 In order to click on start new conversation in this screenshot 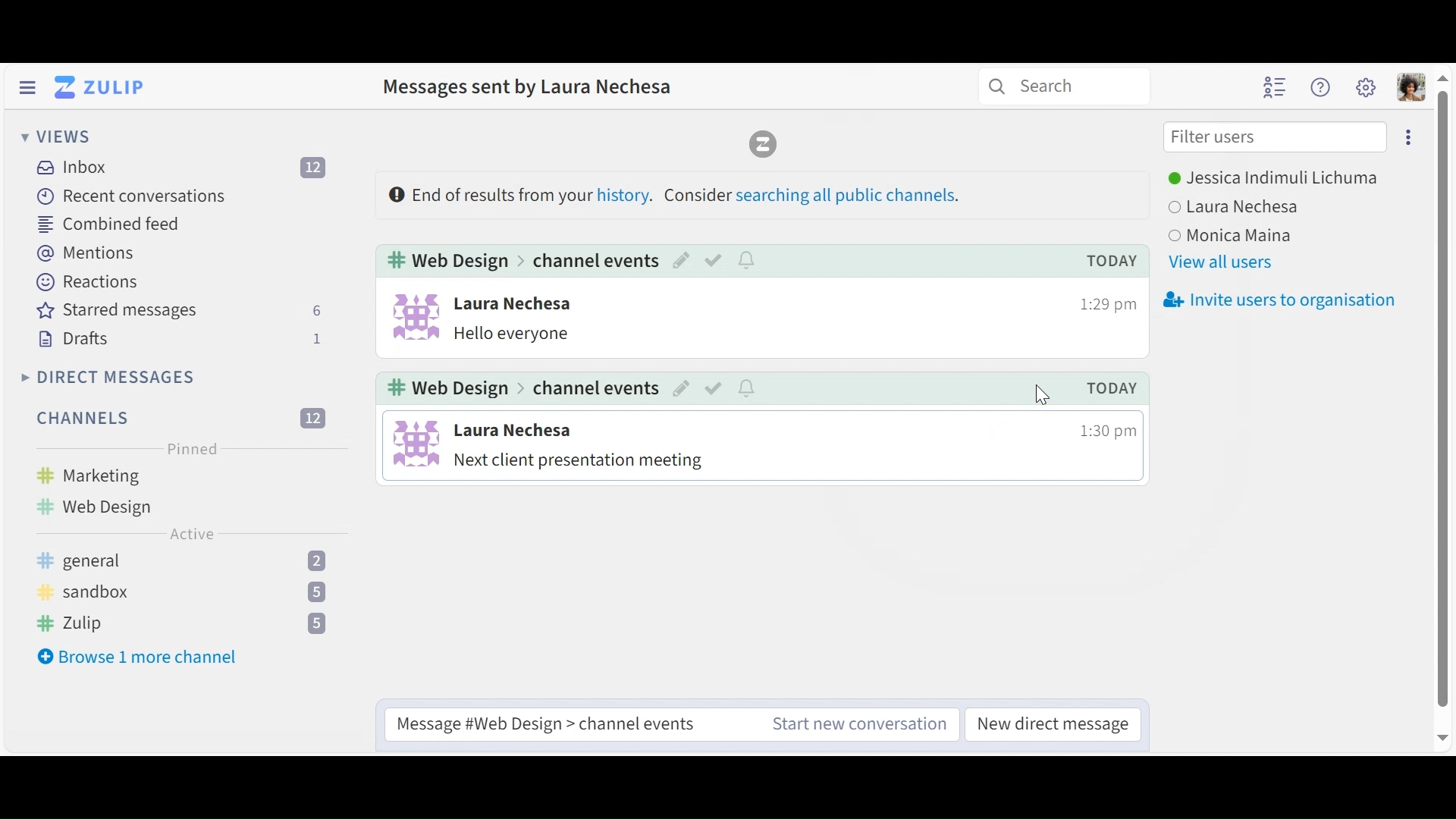, I will do `click(864, 725)`.